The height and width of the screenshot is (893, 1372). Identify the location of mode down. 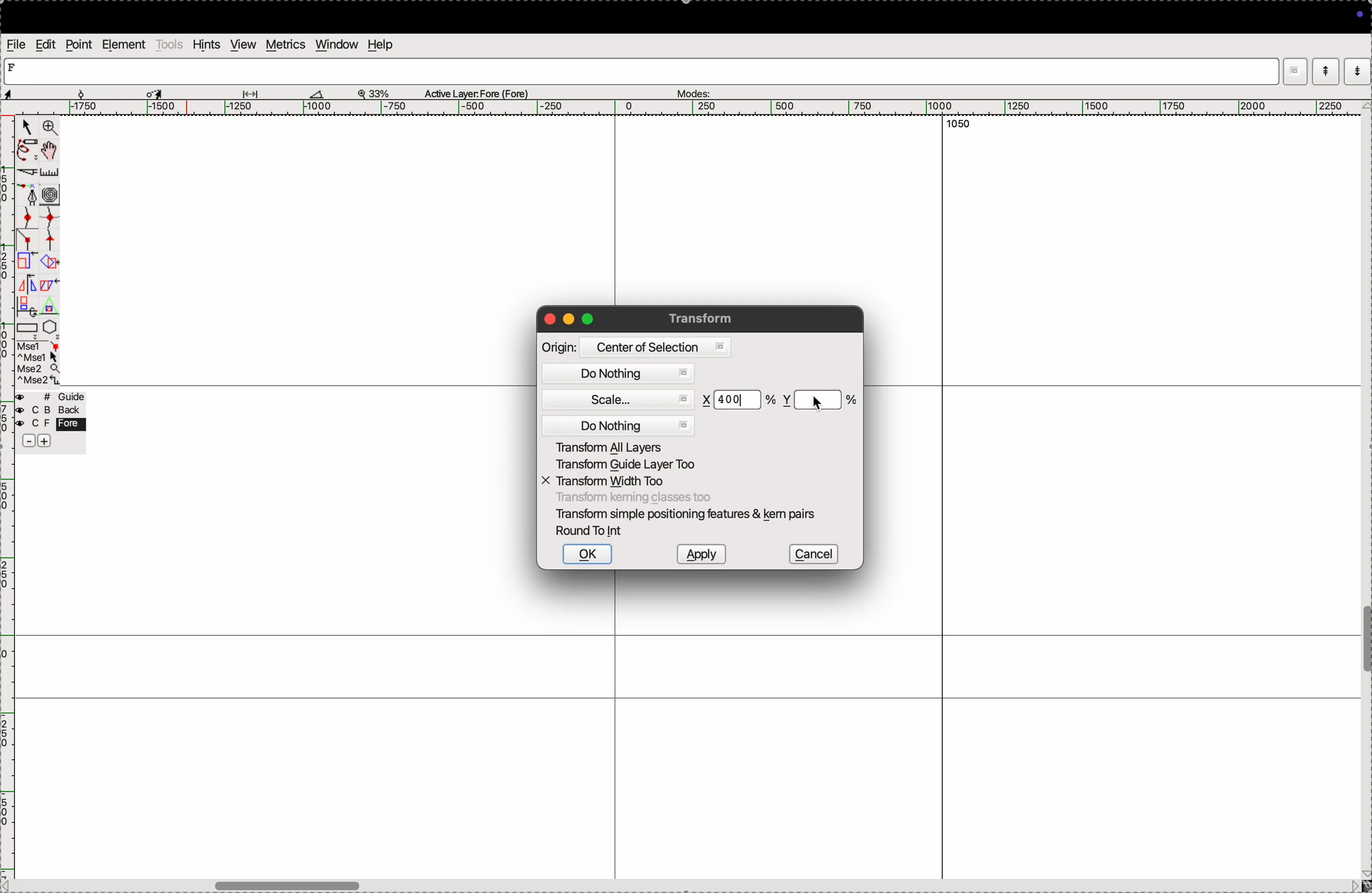
(1358, 70).